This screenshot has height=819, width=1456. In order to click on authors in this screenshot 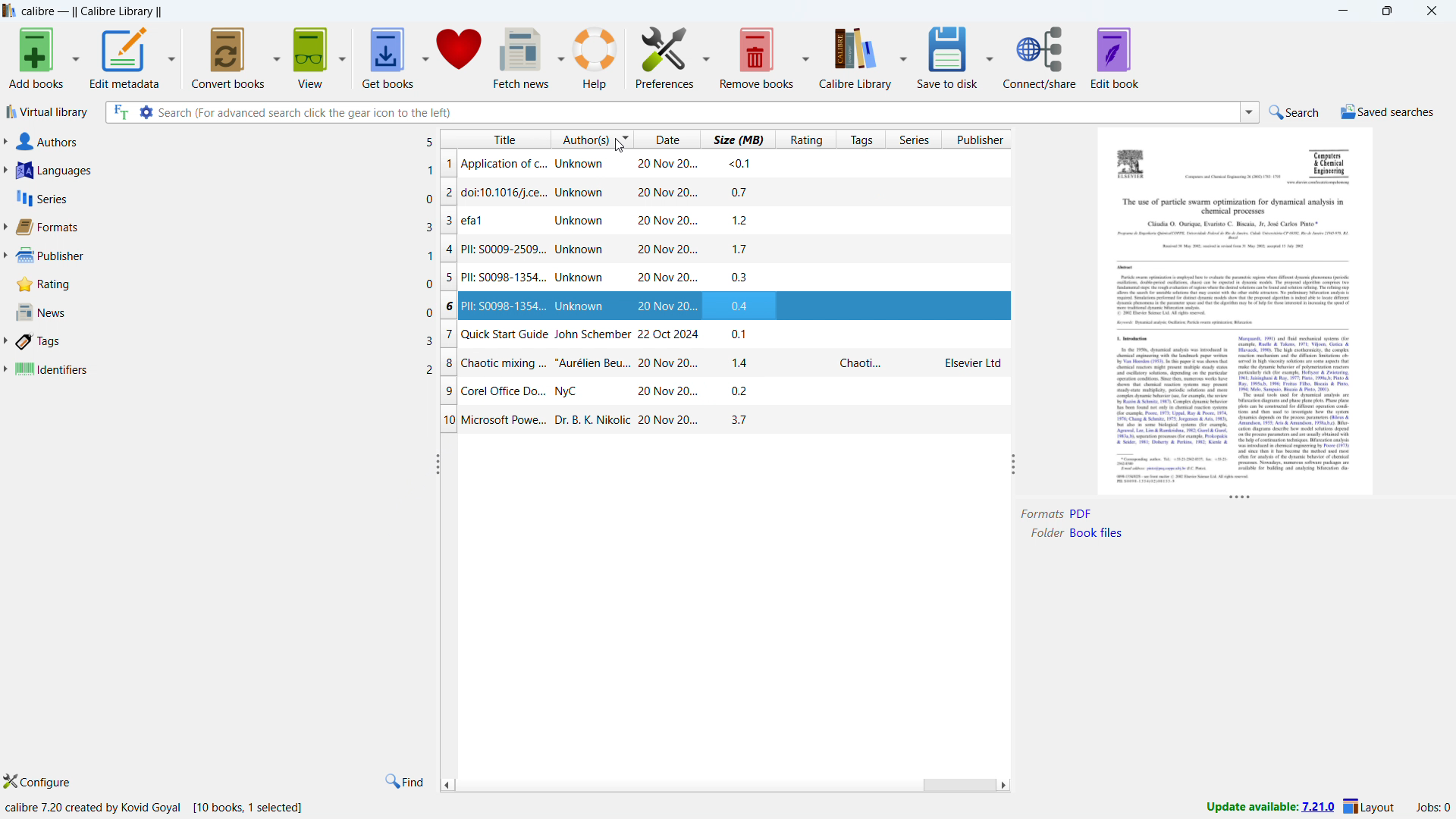, I will do `click(225, 141)`.